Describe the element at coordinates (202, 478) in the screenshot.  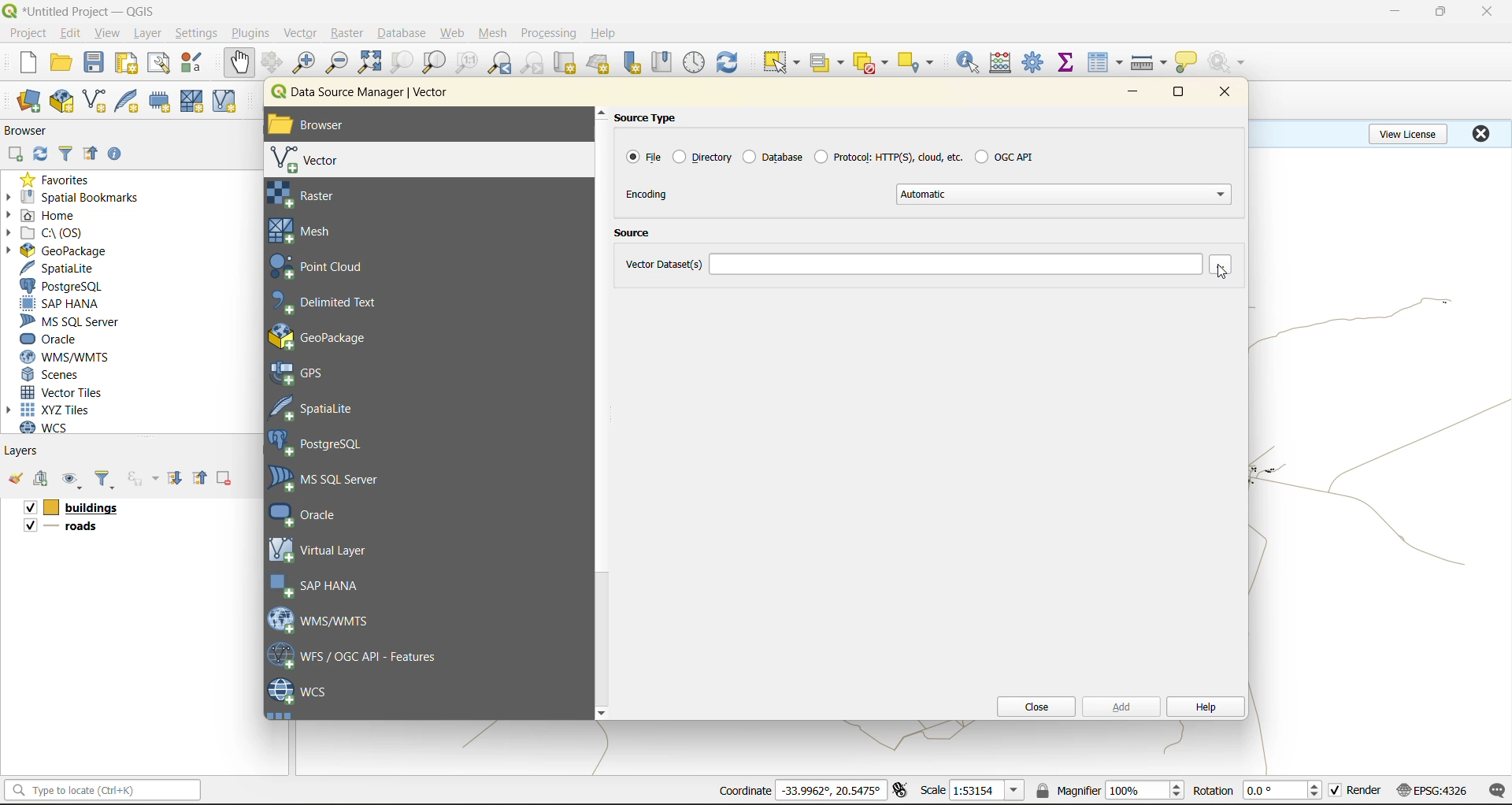
I see `collapse all` at that location.